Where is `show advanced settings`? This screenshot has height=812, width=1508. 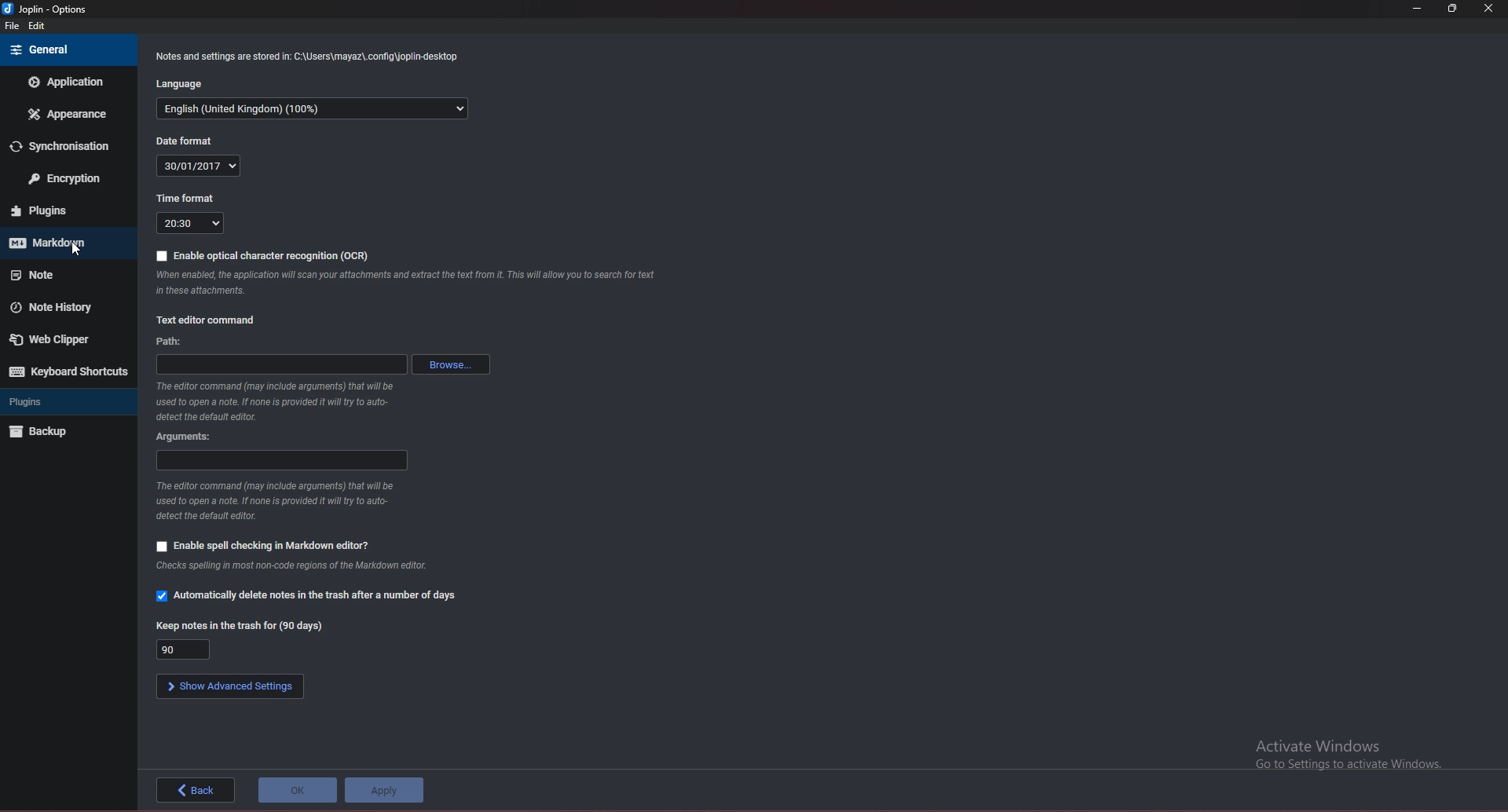 show advanced settings is located at coordinates (229, 687).